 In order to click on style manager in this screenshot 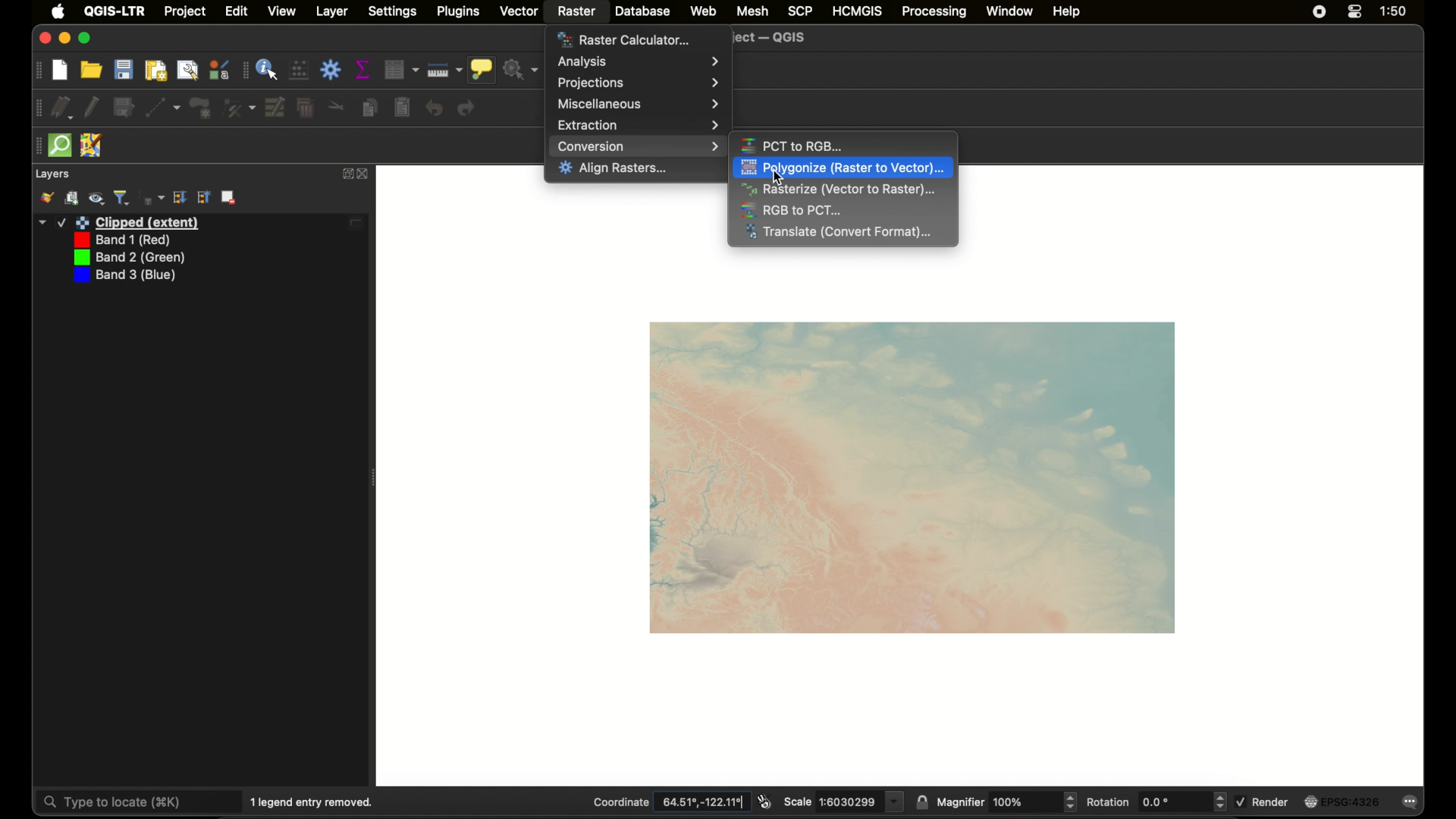, I will do `click(220, 70)`.